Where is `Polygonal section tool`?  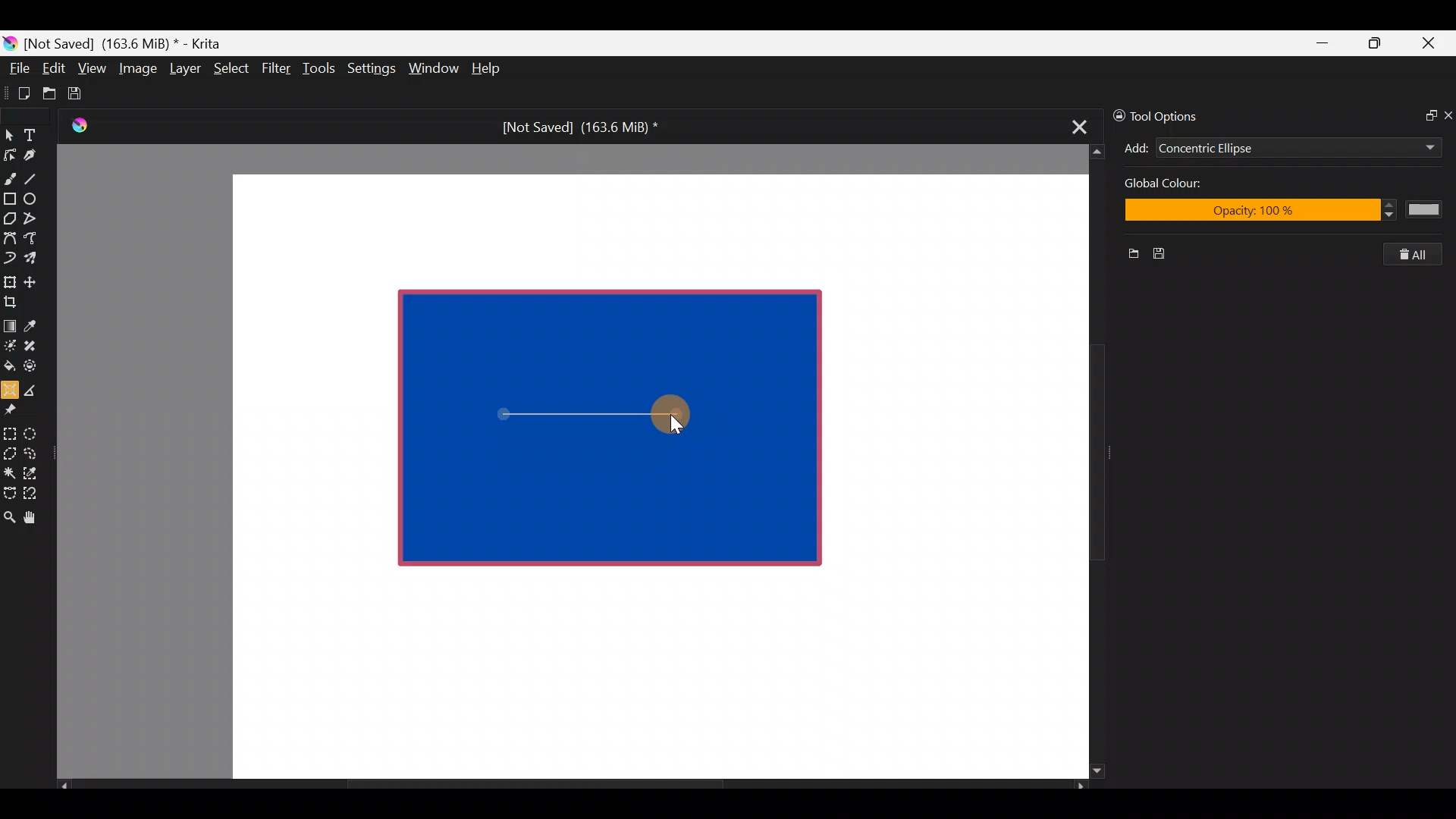 Polygonal section tool is located at coordinates (9, 450).